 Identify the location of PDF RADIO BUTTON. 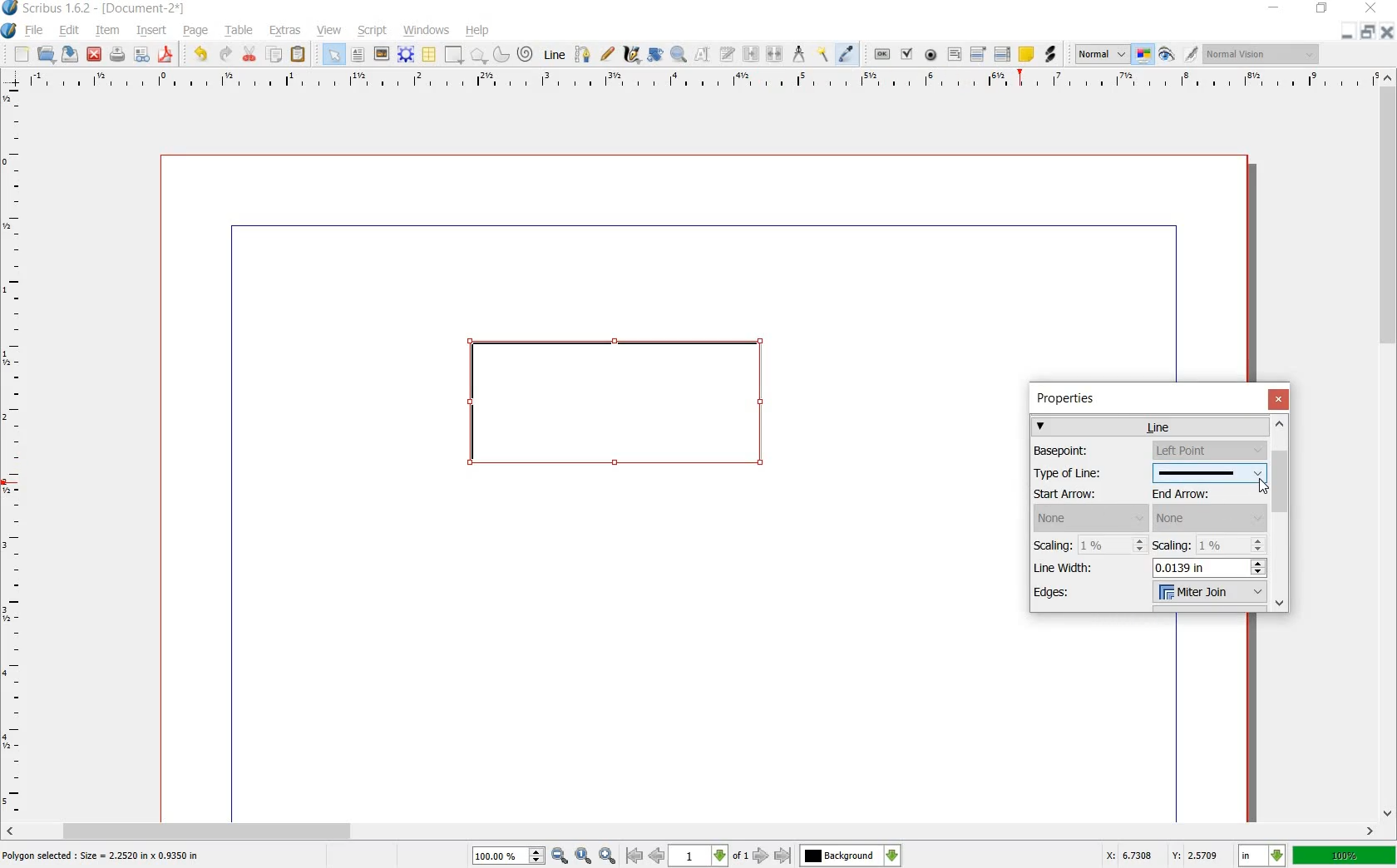
(931, 55).